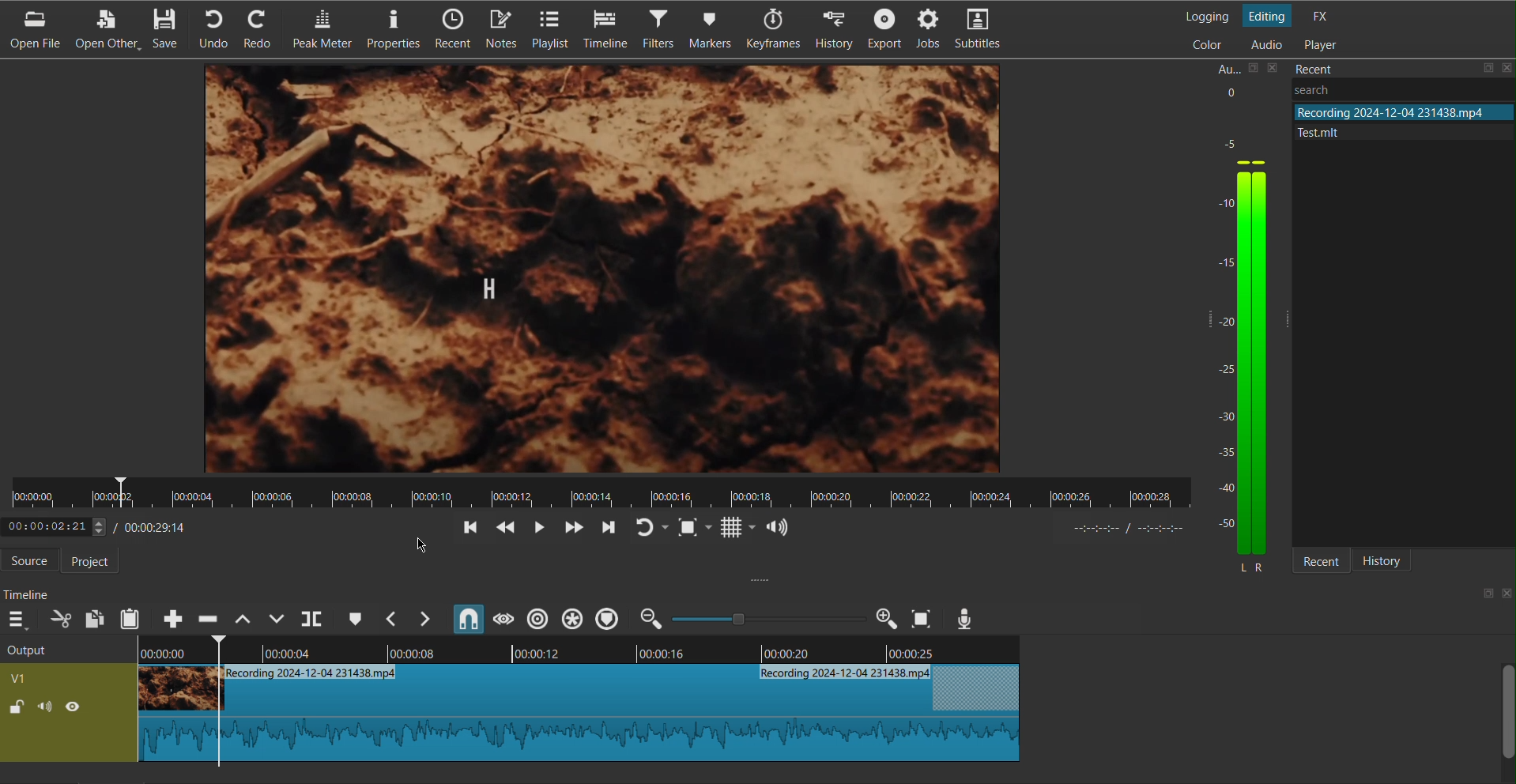 The image size is (1516, 784). I want to click on Video Preview, so click(598, 268).